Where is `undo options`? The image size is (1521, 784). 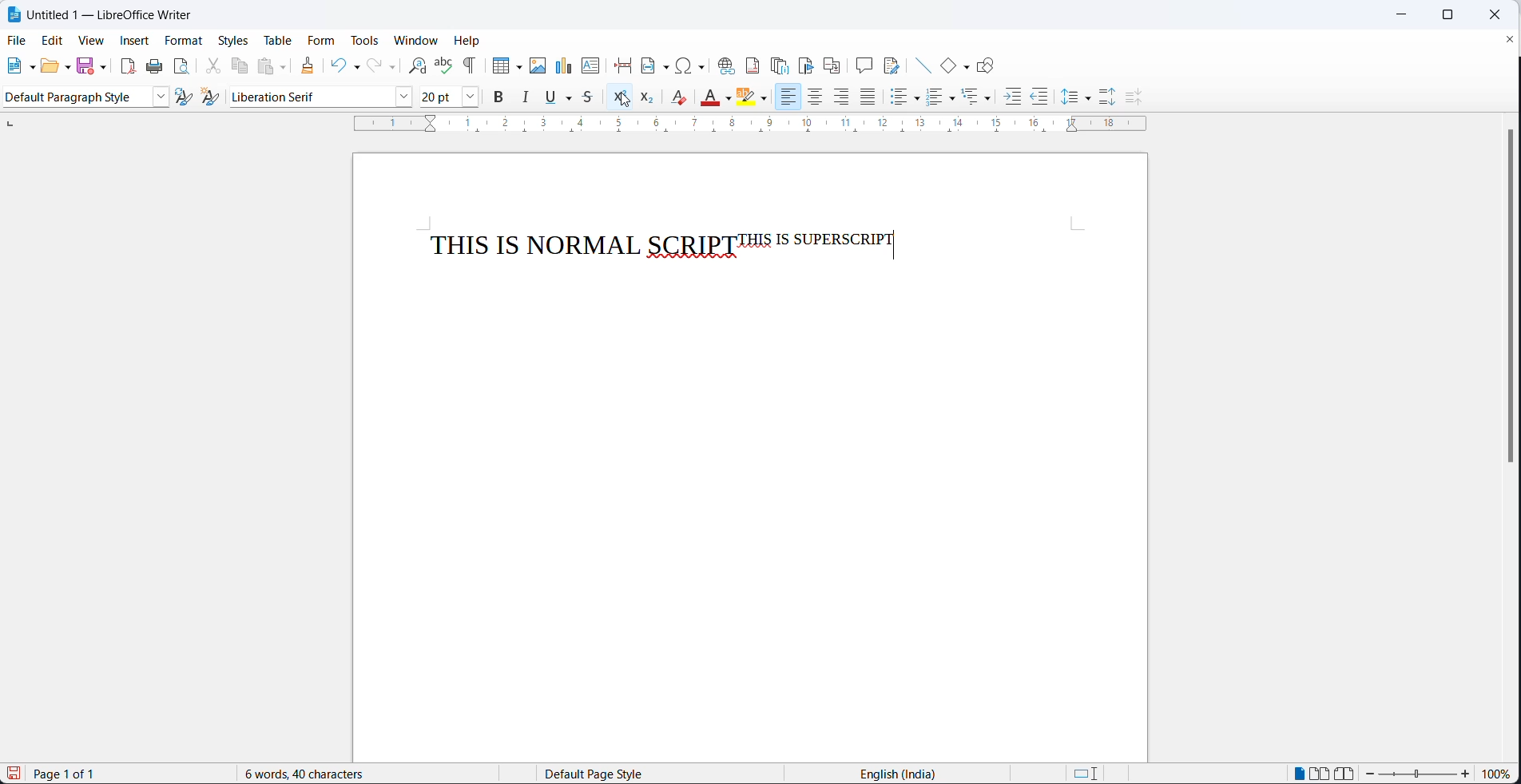 undo options is located at coordinates (354, 69).